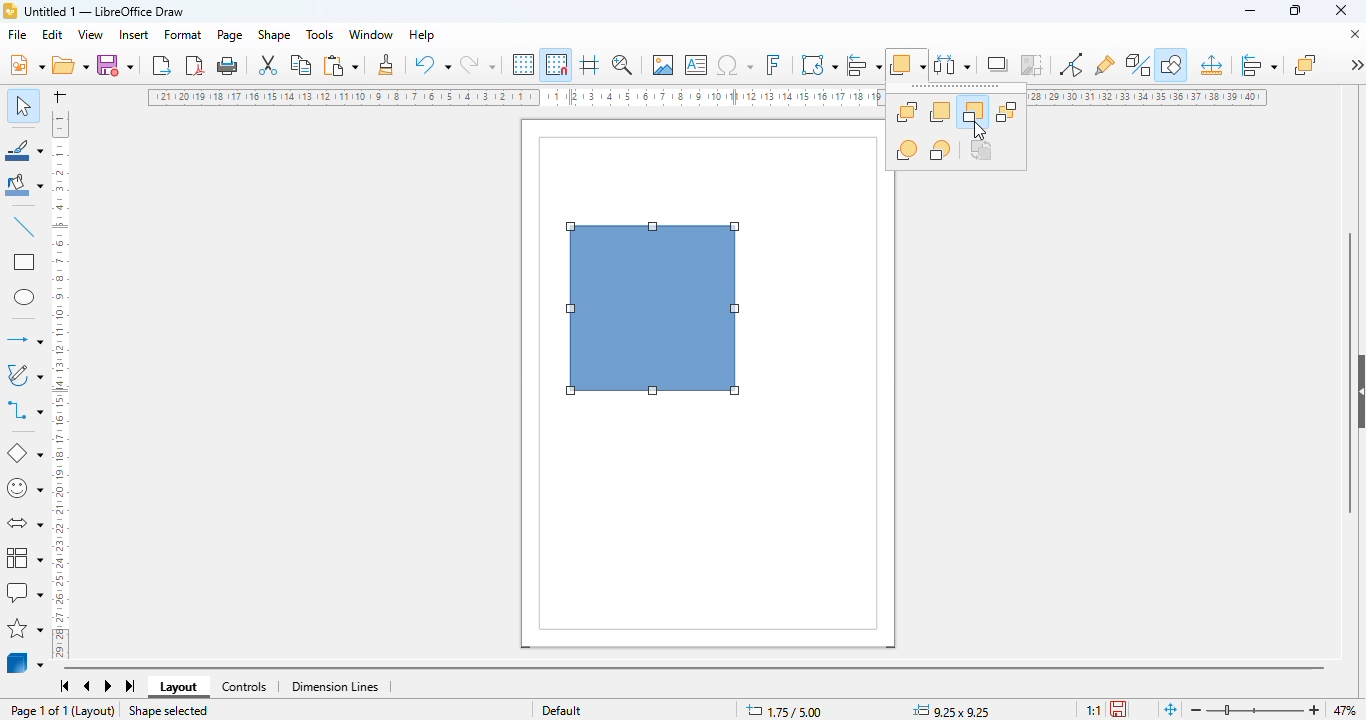  I want to click on export directly as PDF, so click(196, 65).